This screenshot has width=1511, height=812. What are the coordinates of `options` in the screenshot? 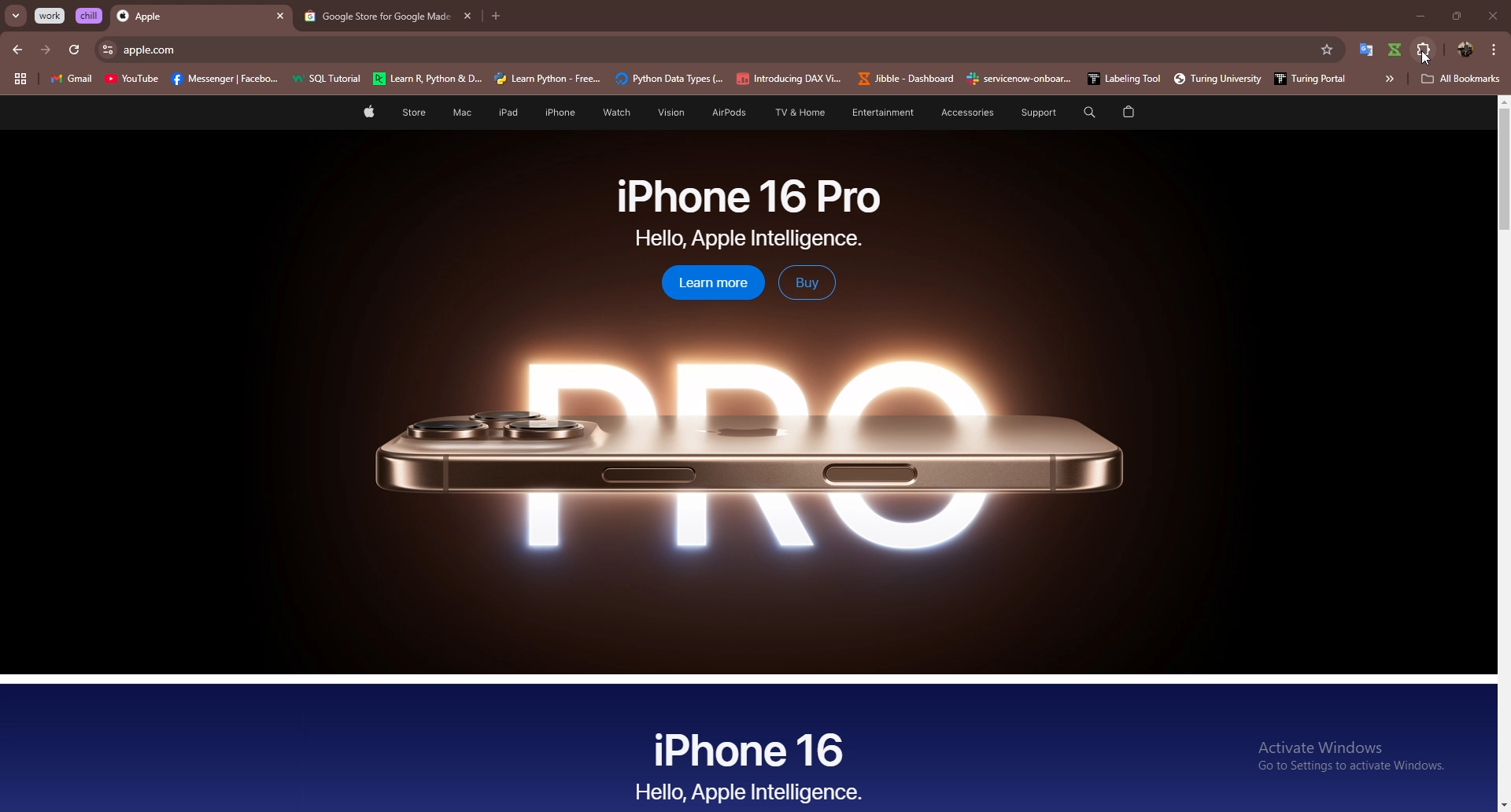 It's located at (1494, 49).